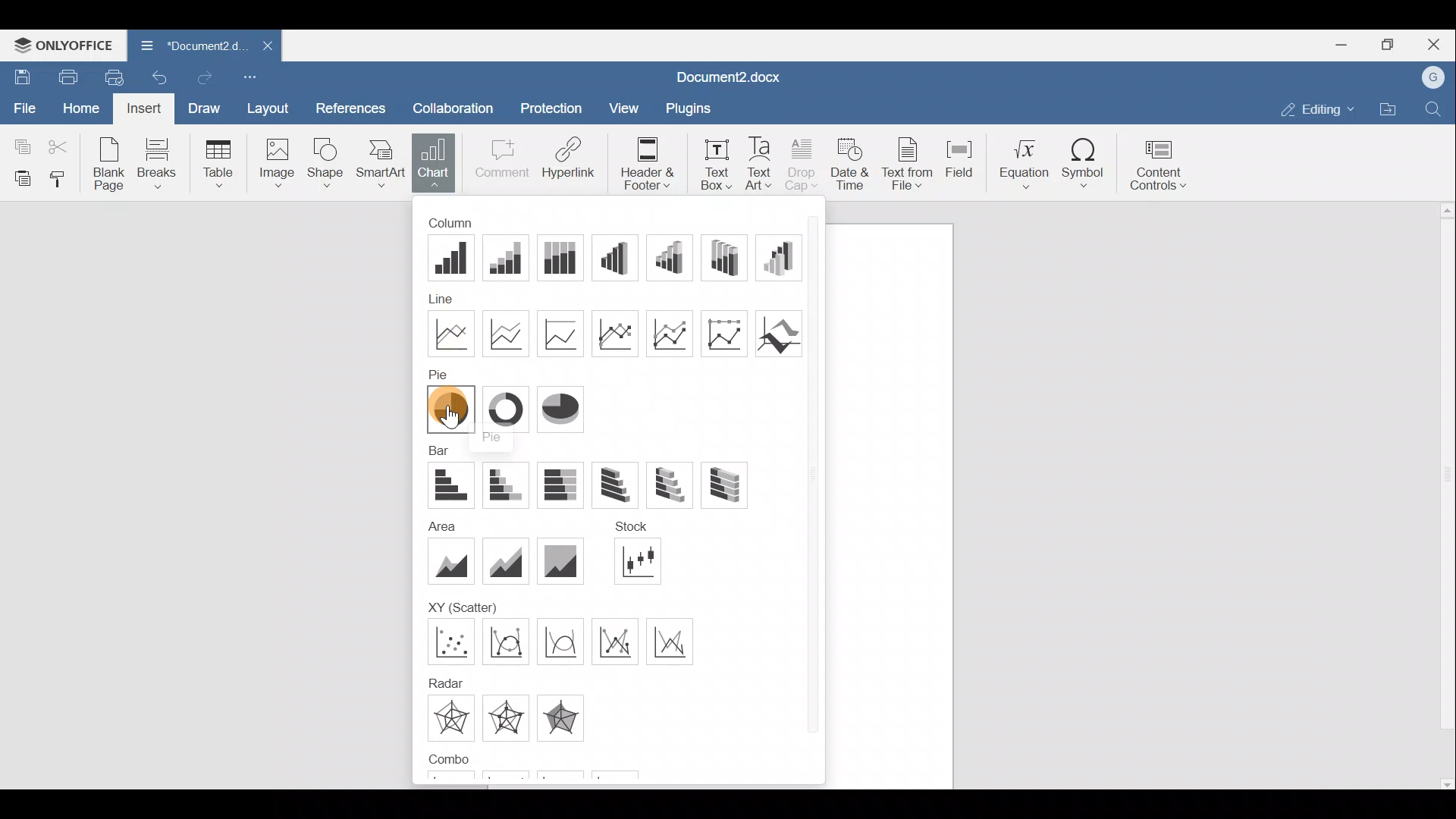  Describe the element at coordinates (64, 178) in the screenshot. I see `Copy style` at that location.